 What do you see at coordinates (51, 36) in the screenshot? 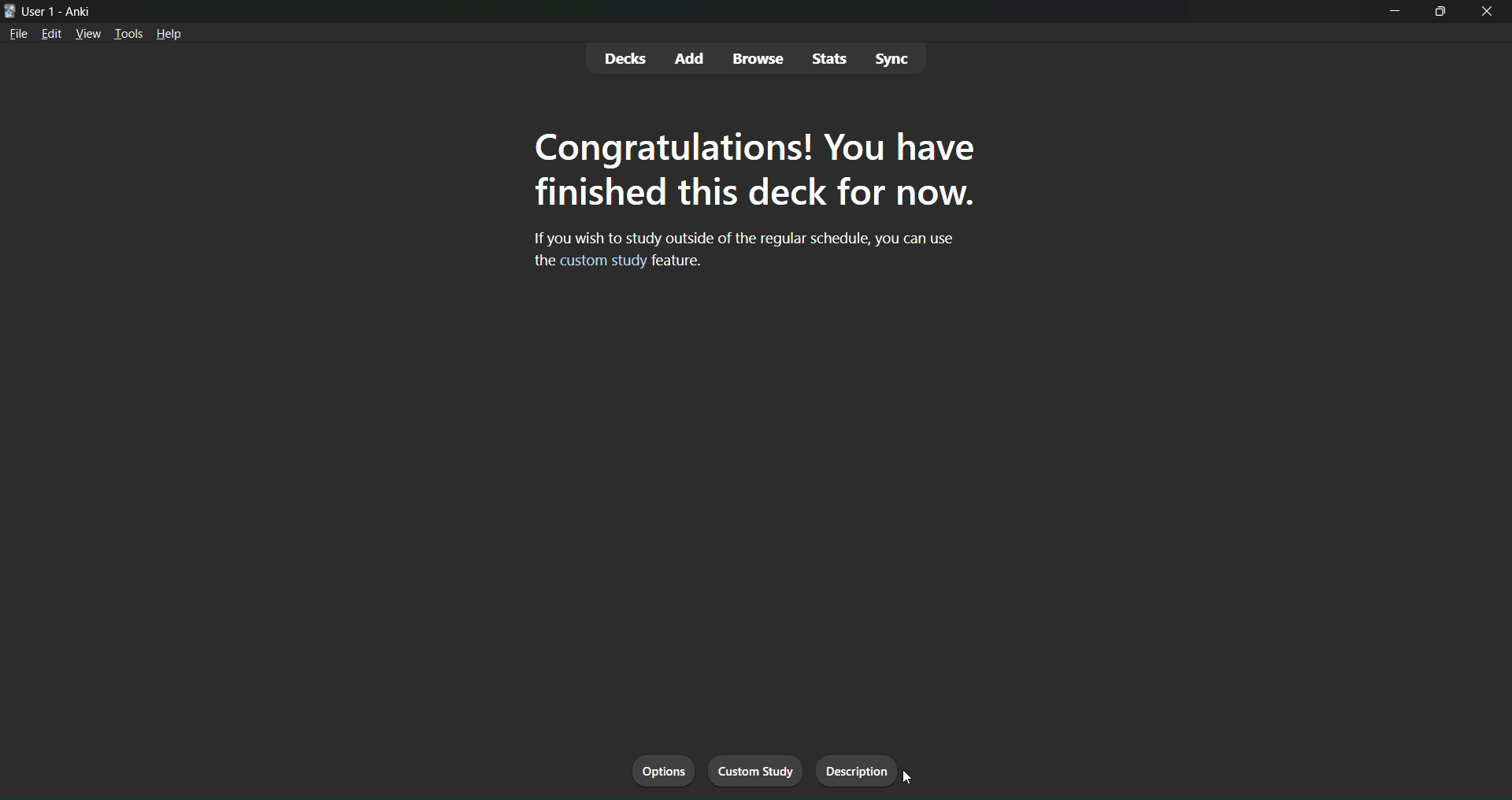
I see `edit` at bounding box center [51, 36].